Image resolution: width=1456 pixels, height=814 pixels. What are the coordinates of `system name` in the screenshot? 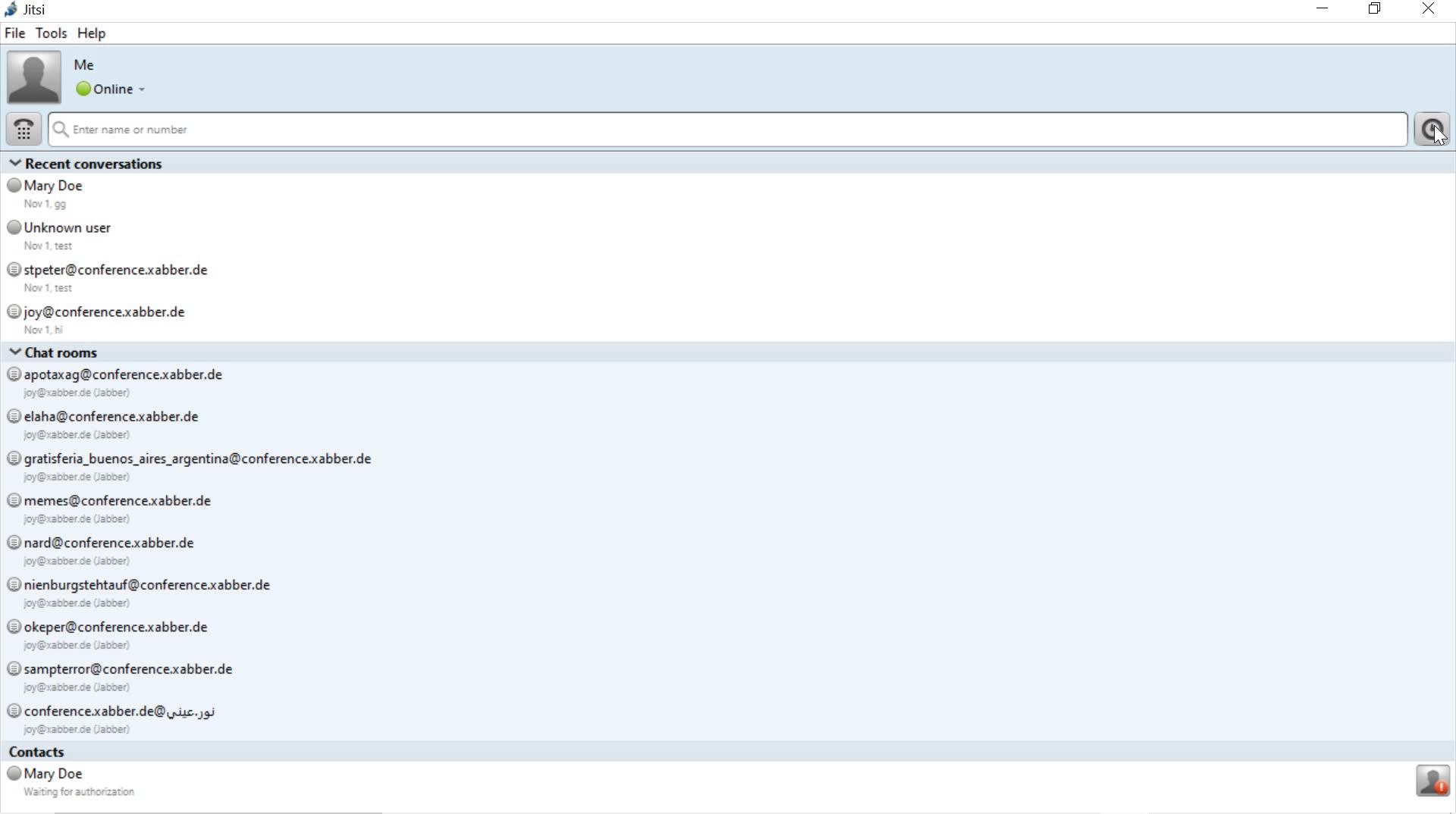 It's located at (28, 9).